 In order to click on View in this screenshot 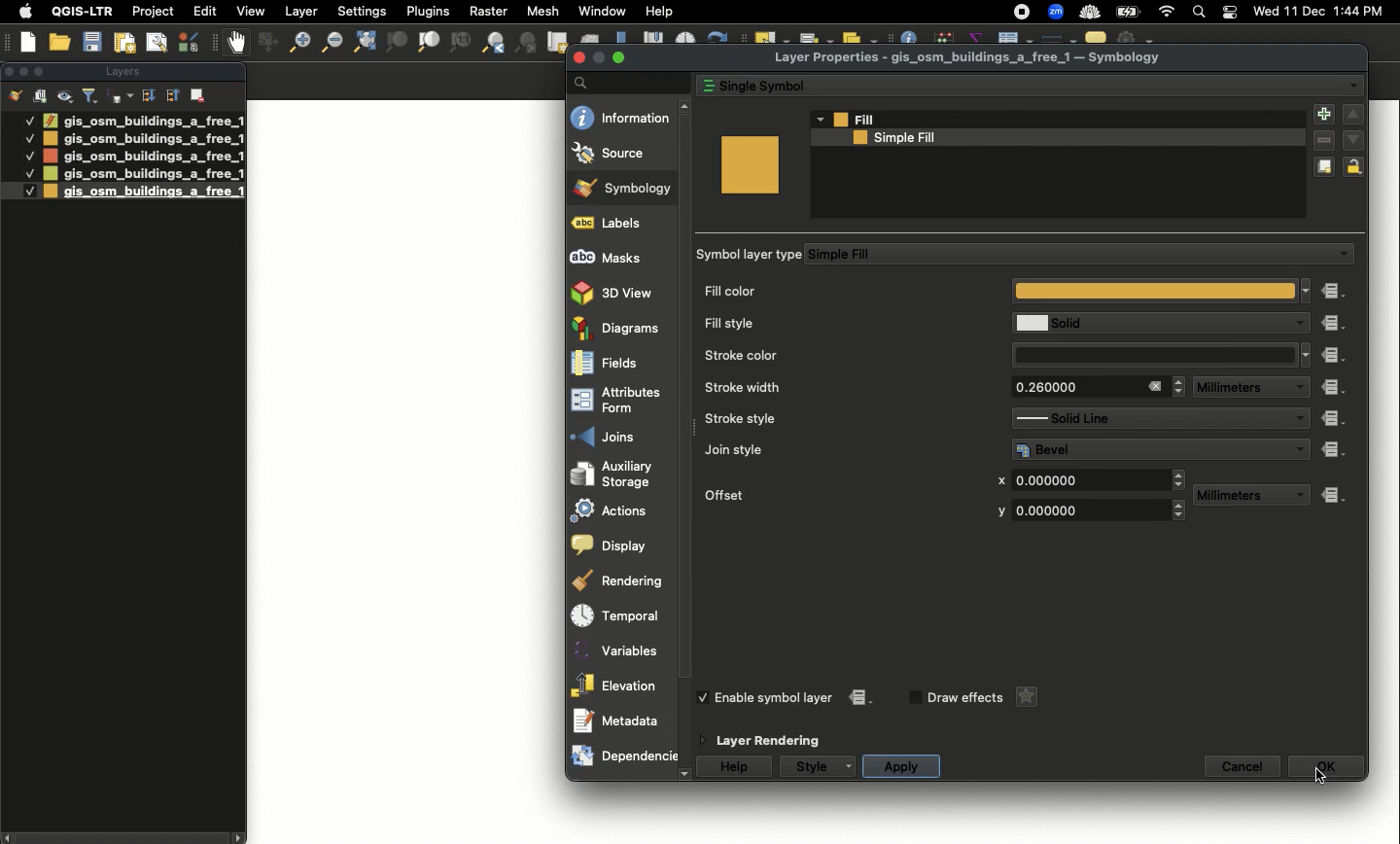, I will do `click(249, 11)`.